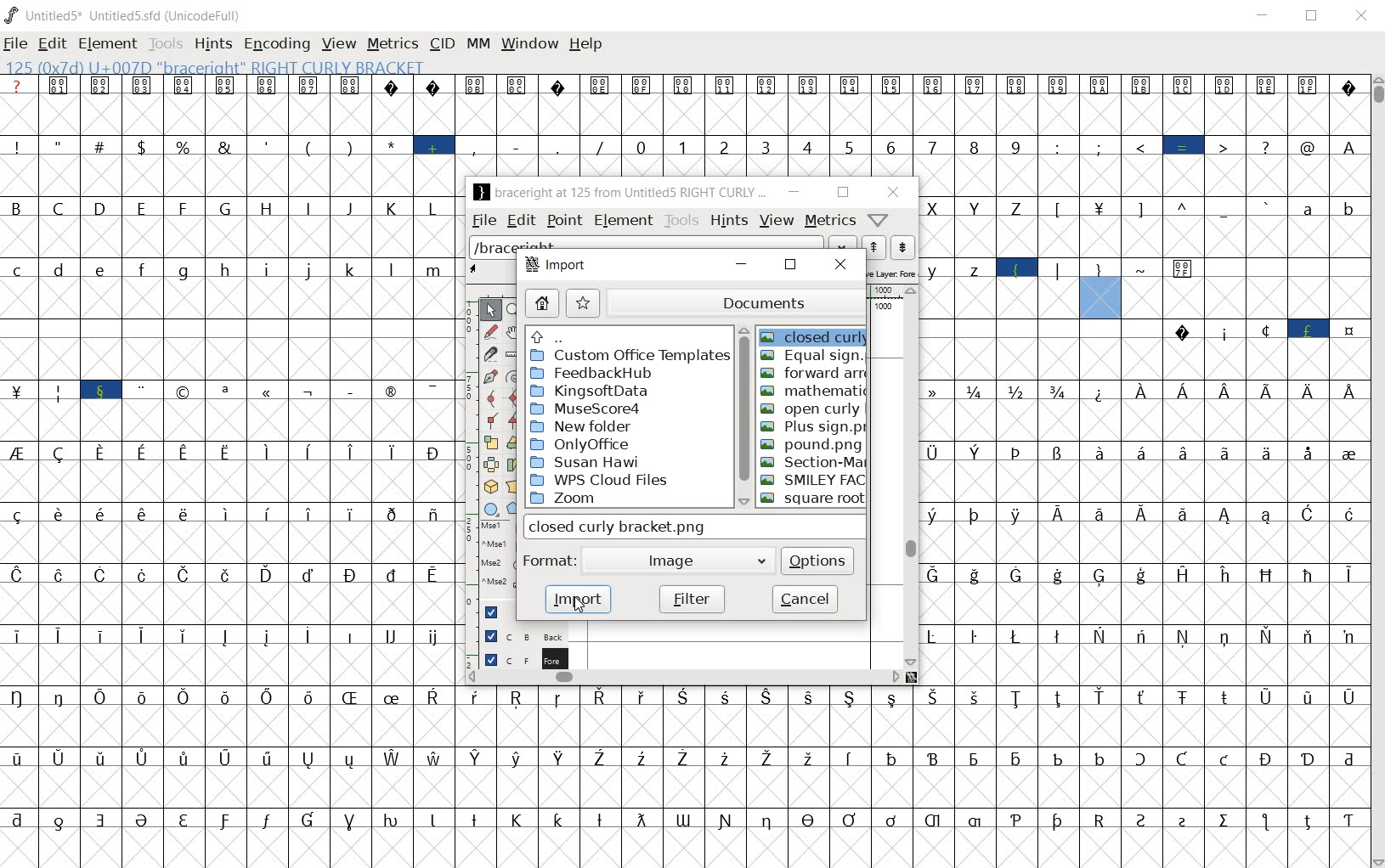  I want to click on ENCODING, so click(276, 44).